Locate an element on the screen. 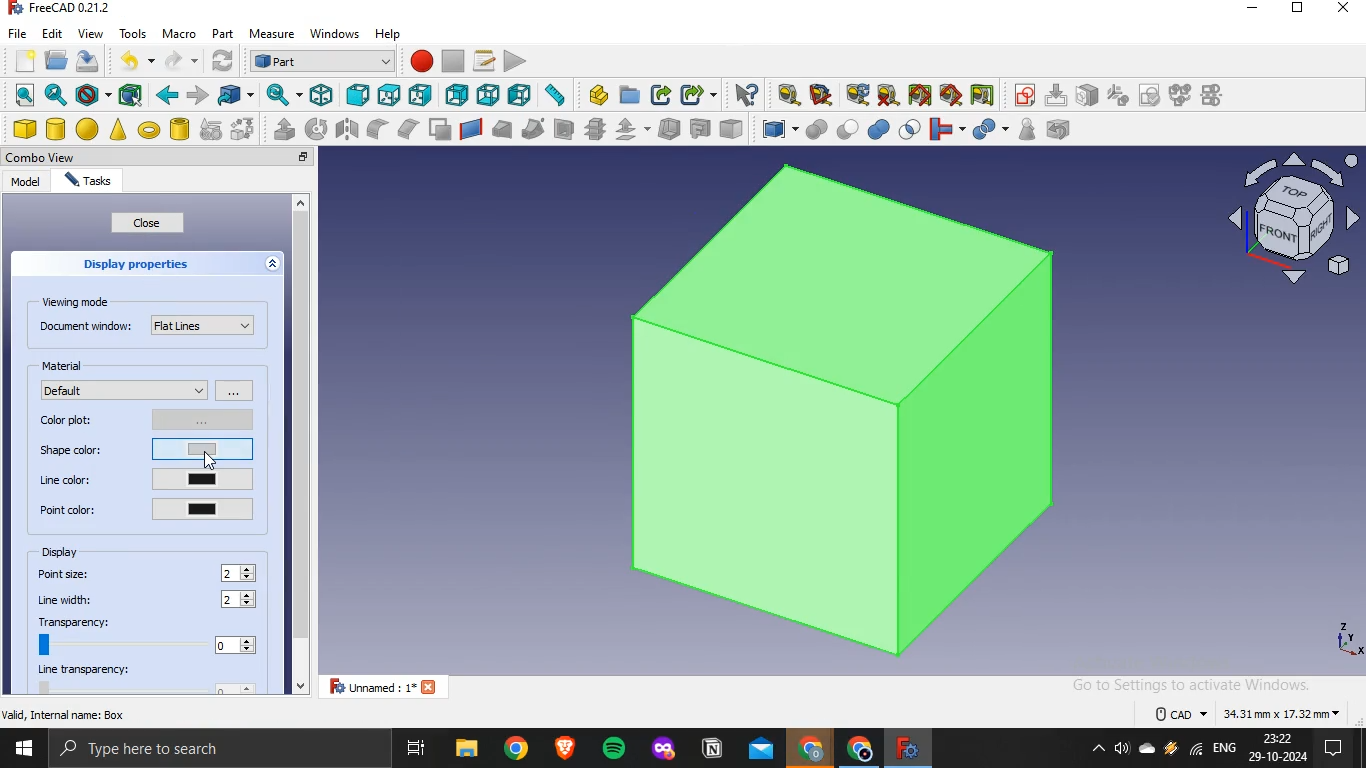  outlook is located at coordinates (762, 751).